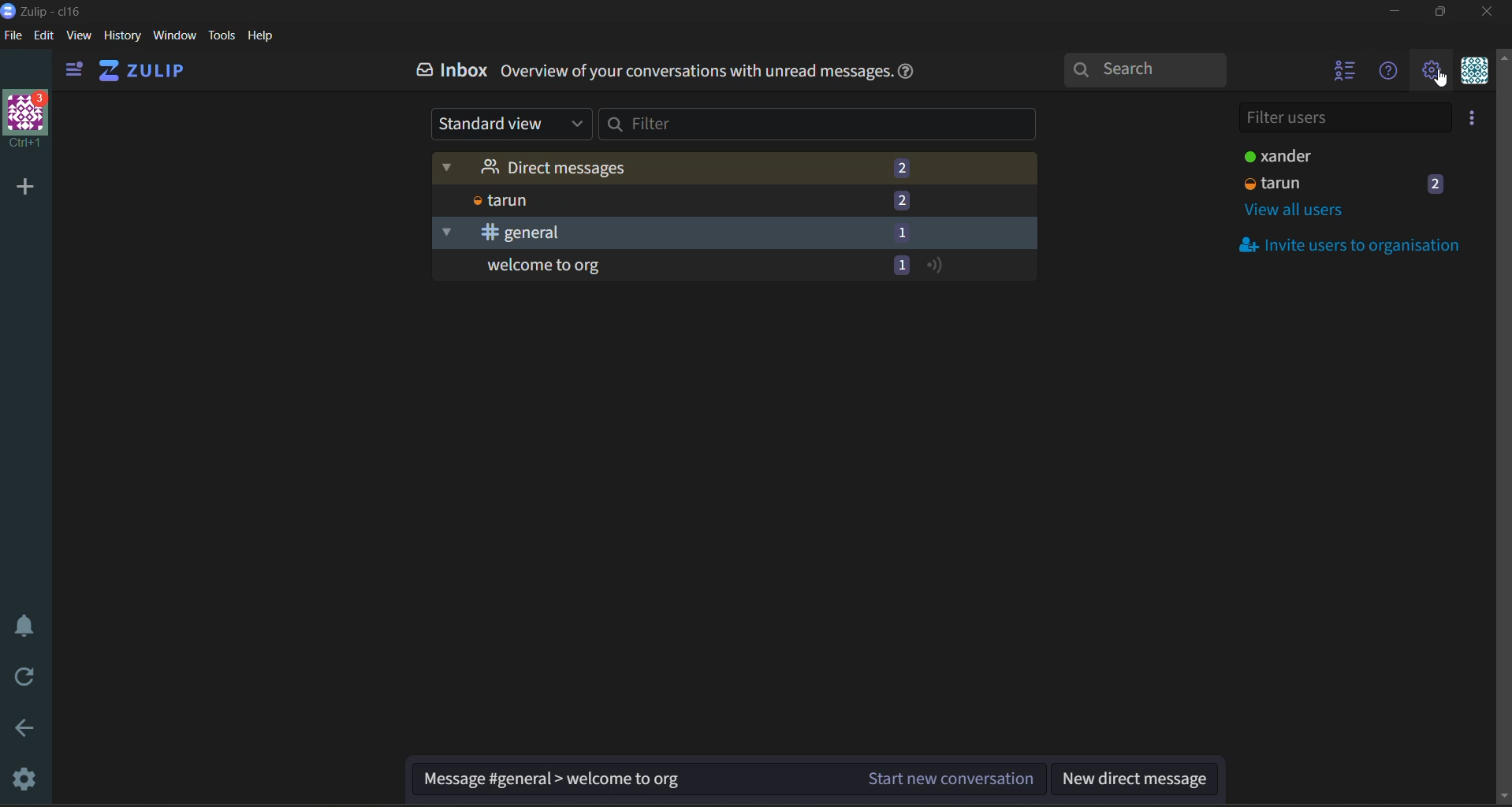 This screenshot has height=807, width=1512. What do you see at coordinates (901, 201) in the screenshot?
I see `2 message` at bounding box center [901, 201].